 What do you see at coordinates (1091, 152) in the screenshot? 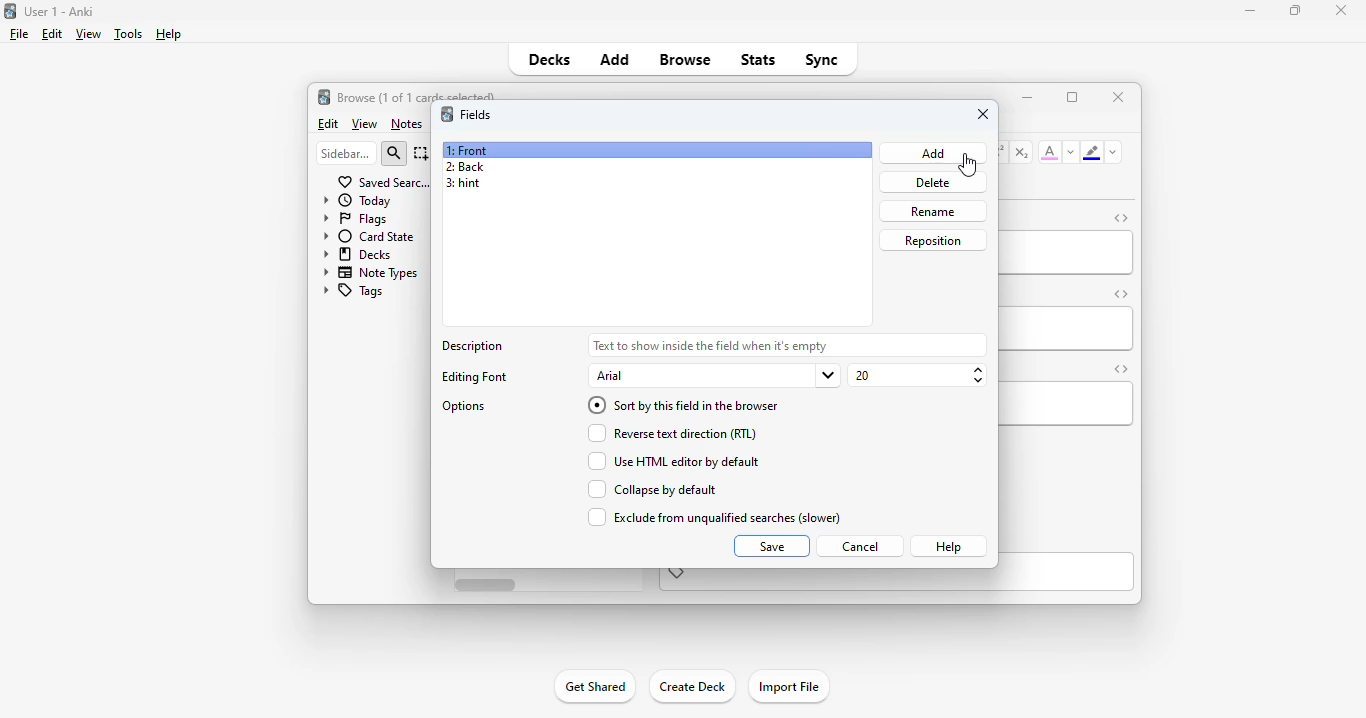
I see `text highlighting color` at bounding box center [1091, 152].